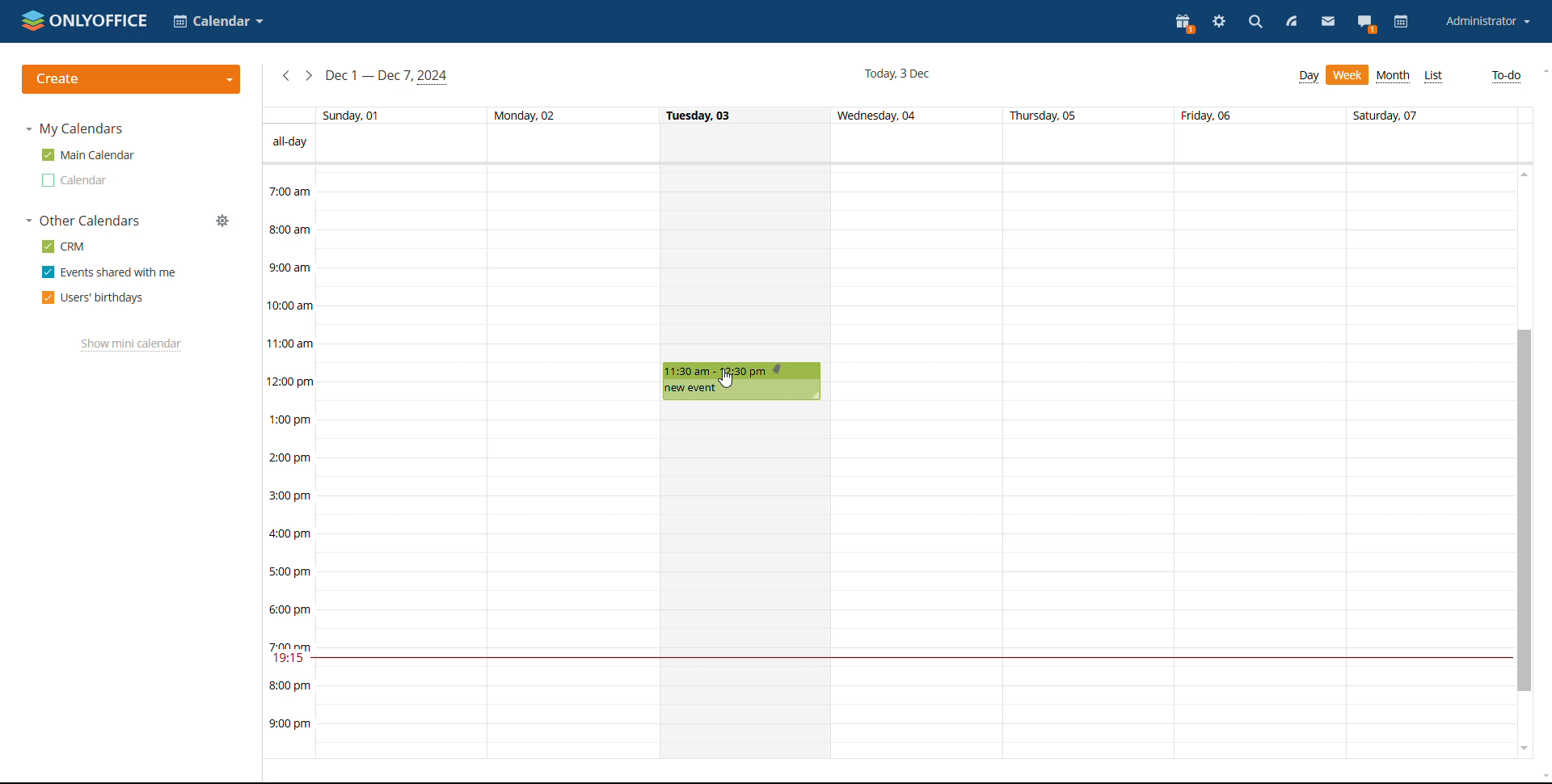 The height and width of the screenshot is (784, 1552). I want to click on 10:00 am, so click(293, 306).